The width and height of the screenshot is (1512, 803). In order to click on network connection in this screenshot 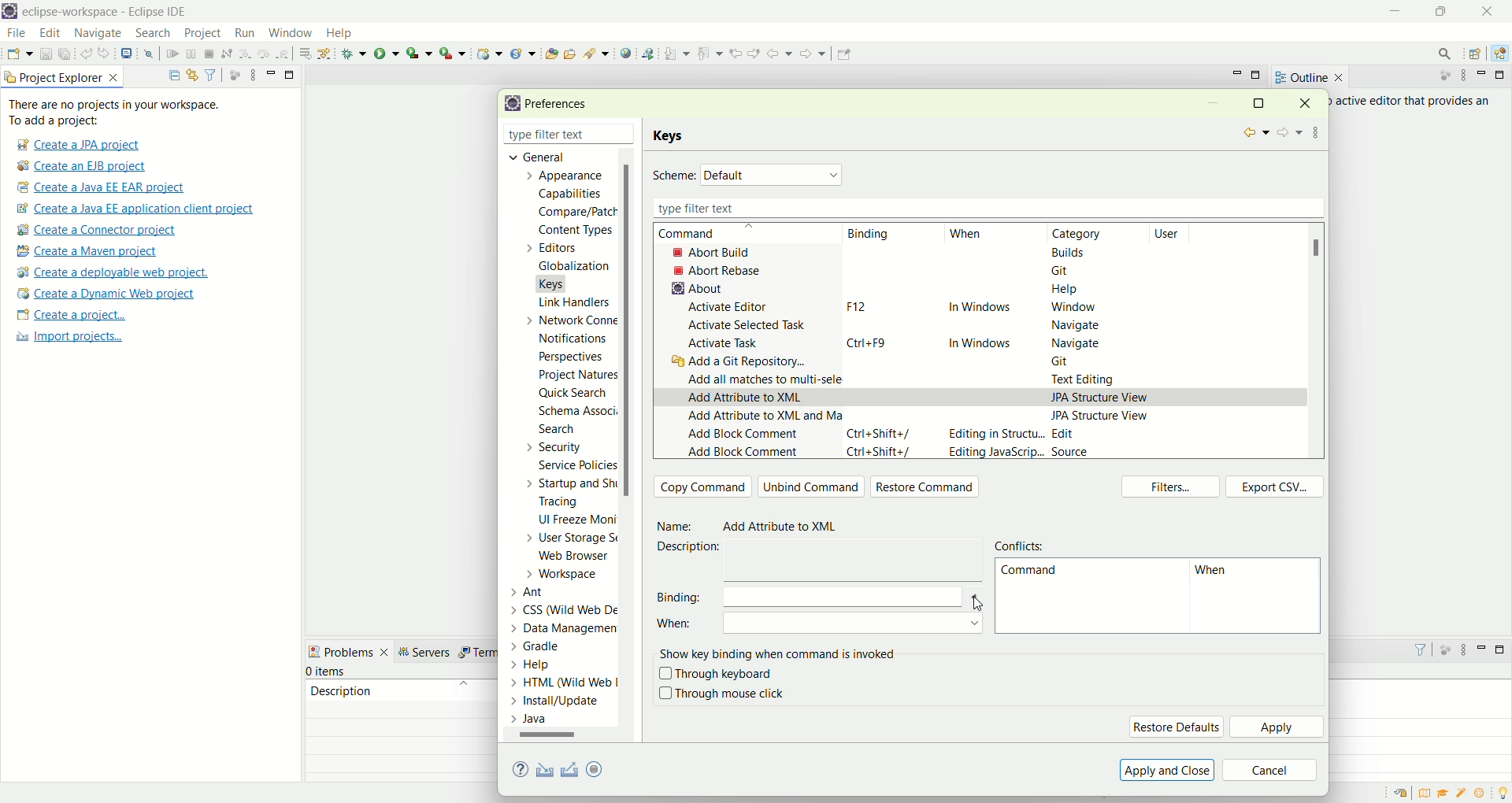, I will do `click(568, 320)`.